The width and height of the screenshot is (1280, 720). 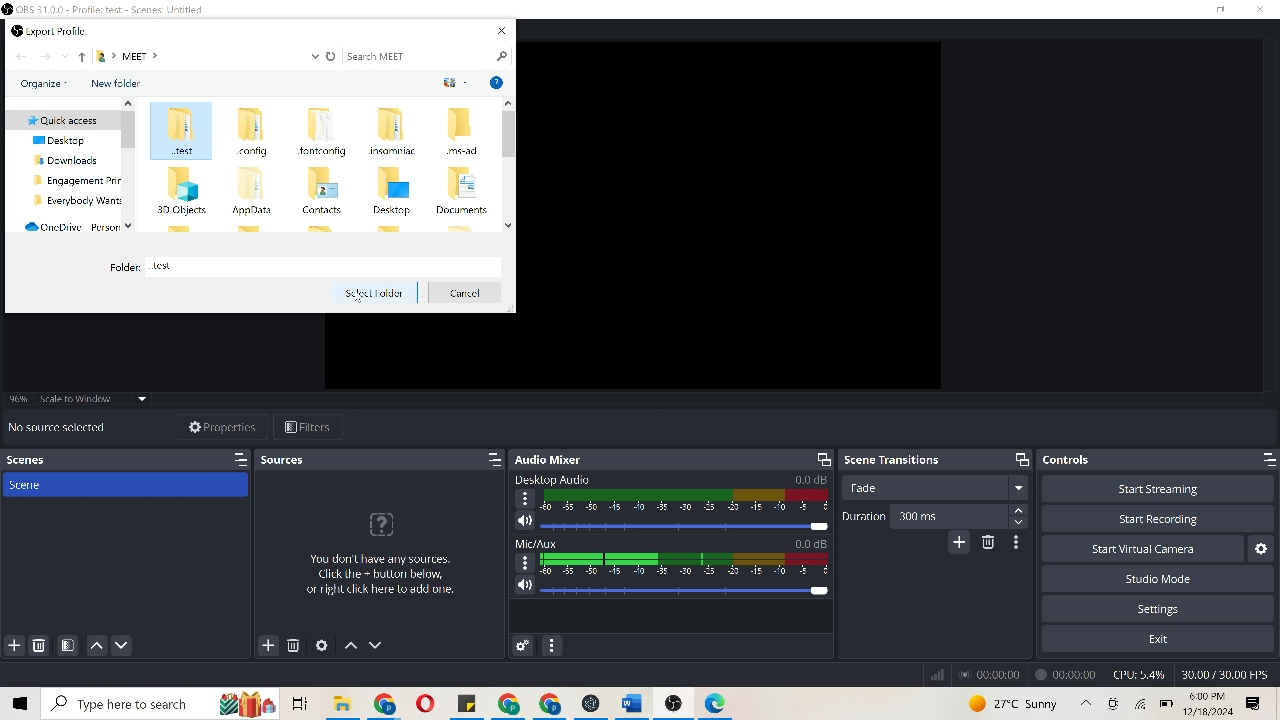 I want to click on move sources down, so click(x=380, y=642).